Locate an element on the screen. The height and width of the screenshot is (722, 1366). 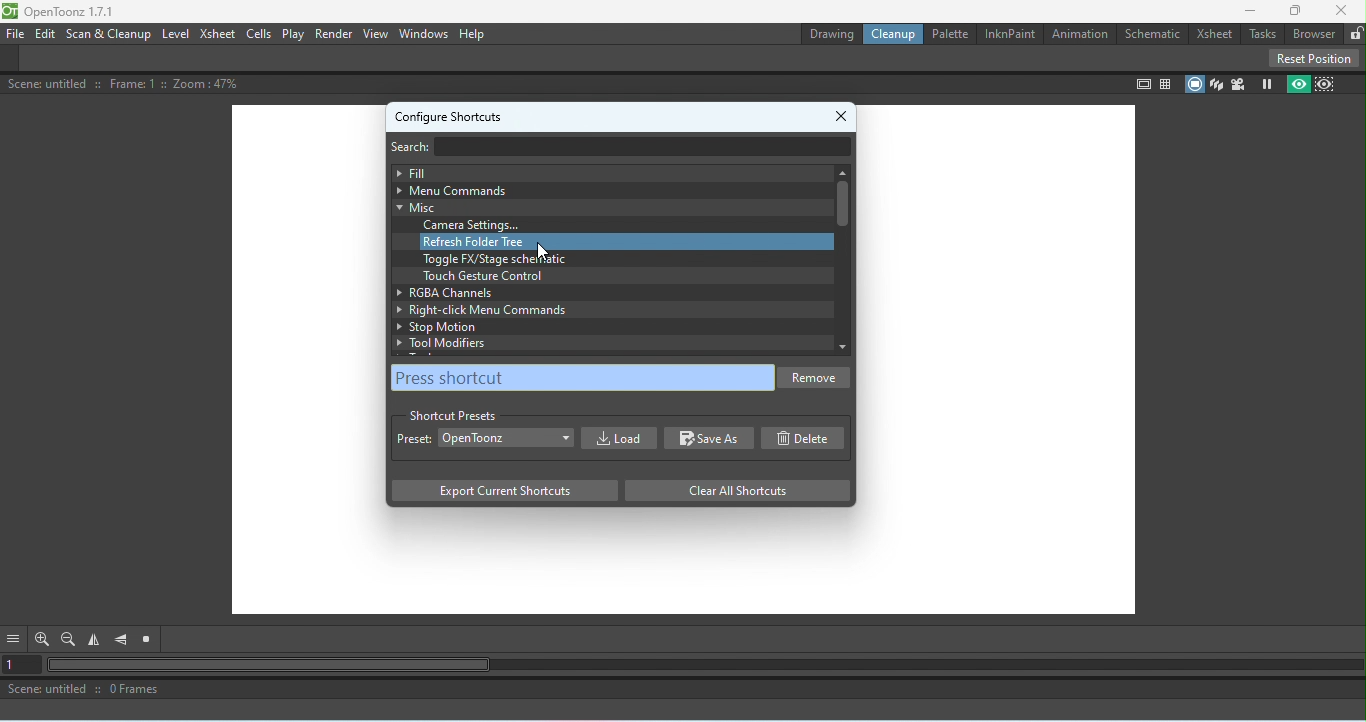
Menu Commands is located at coordinates (604, 190).